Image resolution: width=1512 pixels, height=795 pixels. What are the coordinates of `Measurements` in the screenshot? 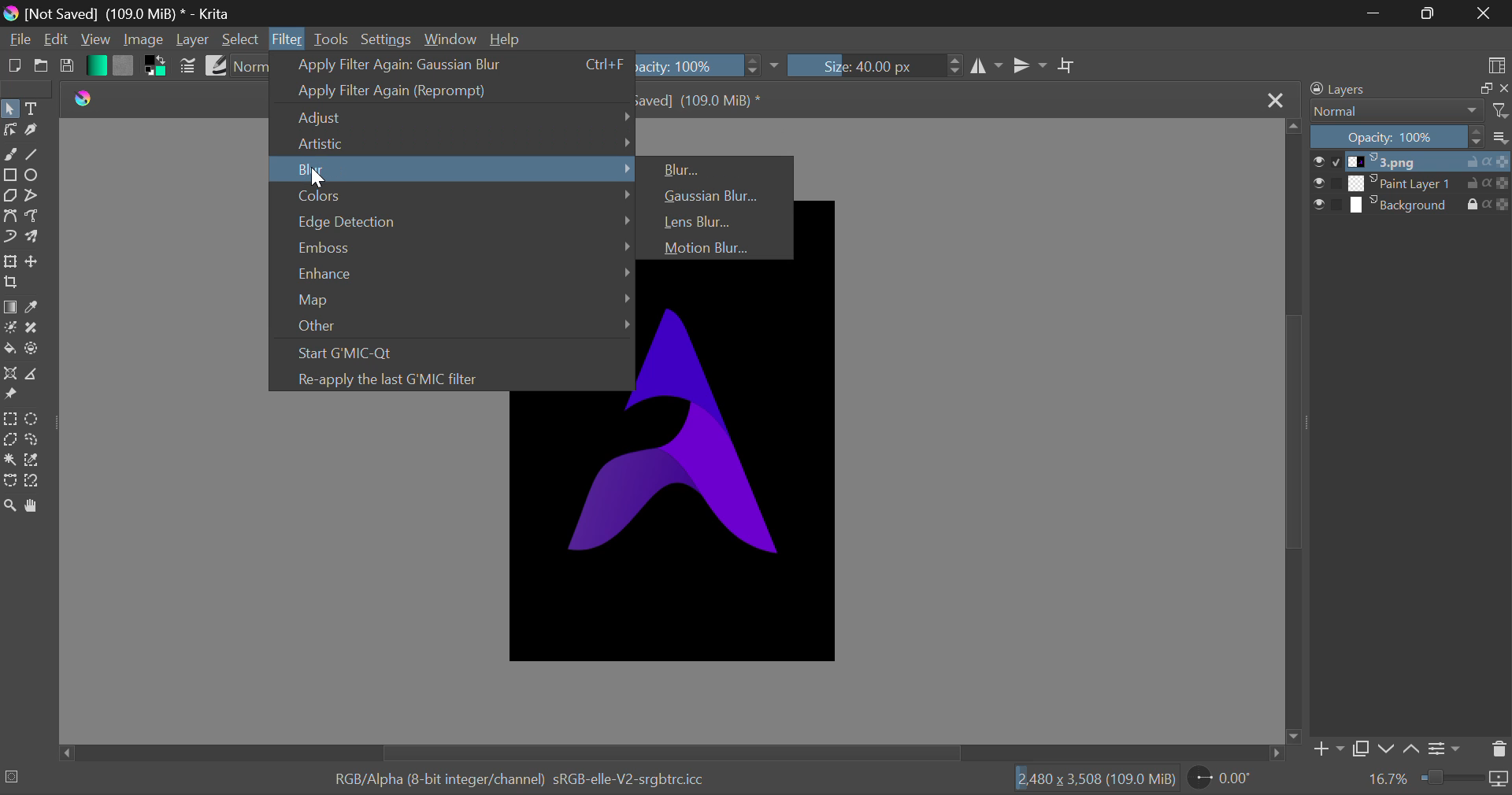 It's located at (36, 374).